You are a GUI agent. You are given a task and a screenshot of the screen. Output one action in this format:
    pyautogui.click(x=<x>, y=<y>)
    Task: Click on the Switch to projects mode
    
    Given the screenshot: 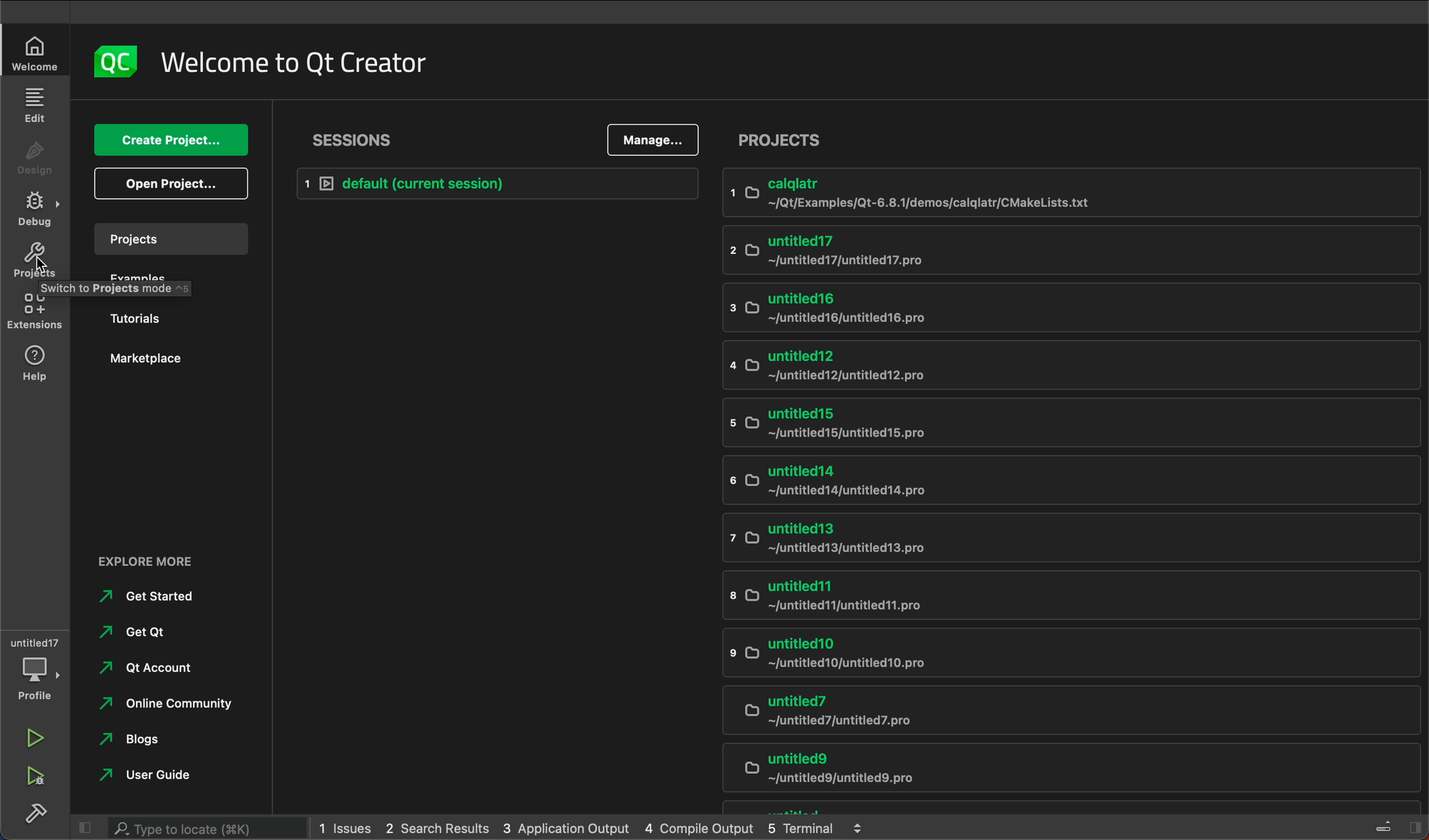 What is the action you would take?
    pyautogui.click(x=108, y=289)
    